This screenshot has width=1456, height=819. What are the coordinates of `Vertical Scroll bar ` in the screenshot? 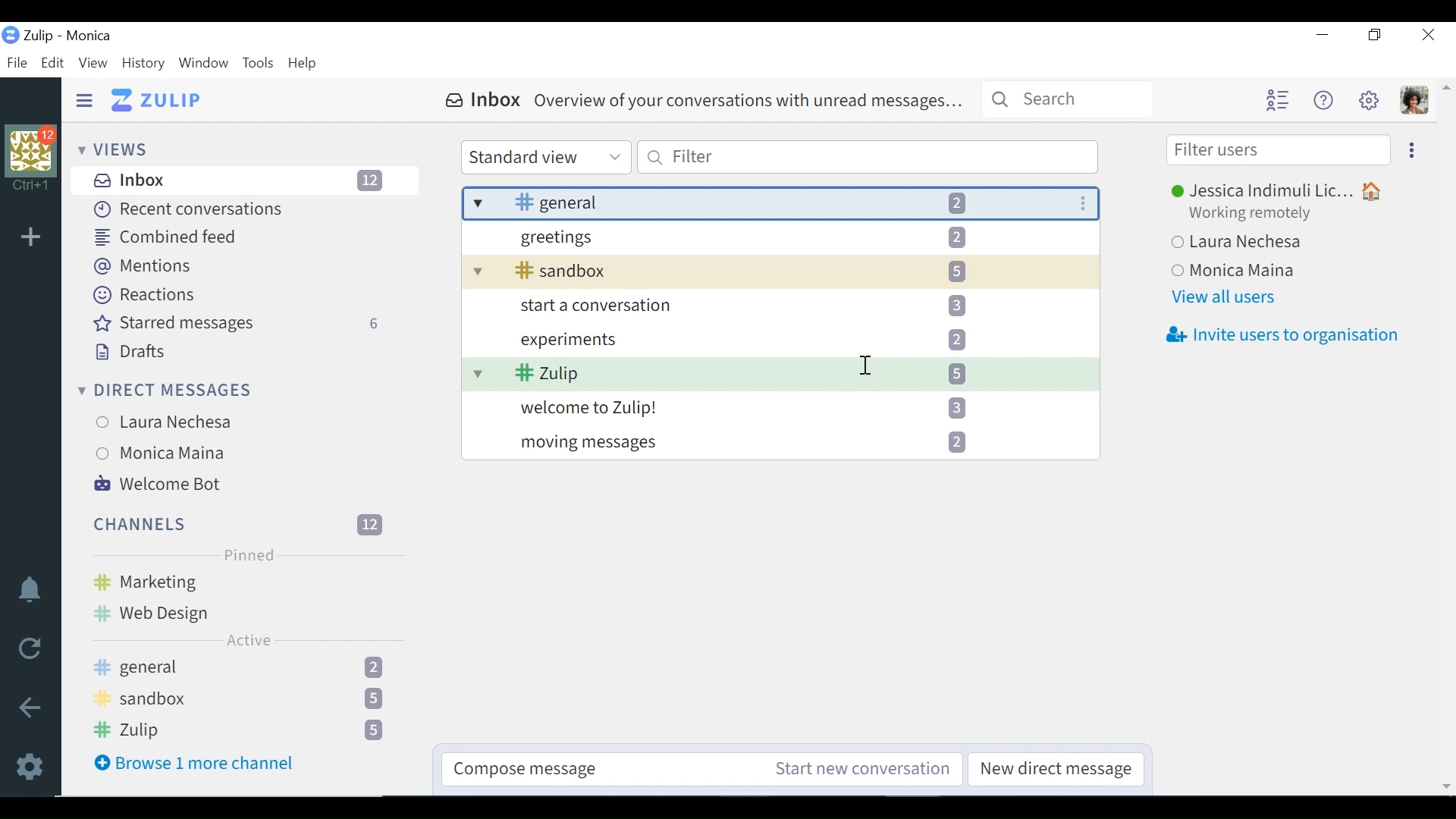 It's located at (1447, 265).